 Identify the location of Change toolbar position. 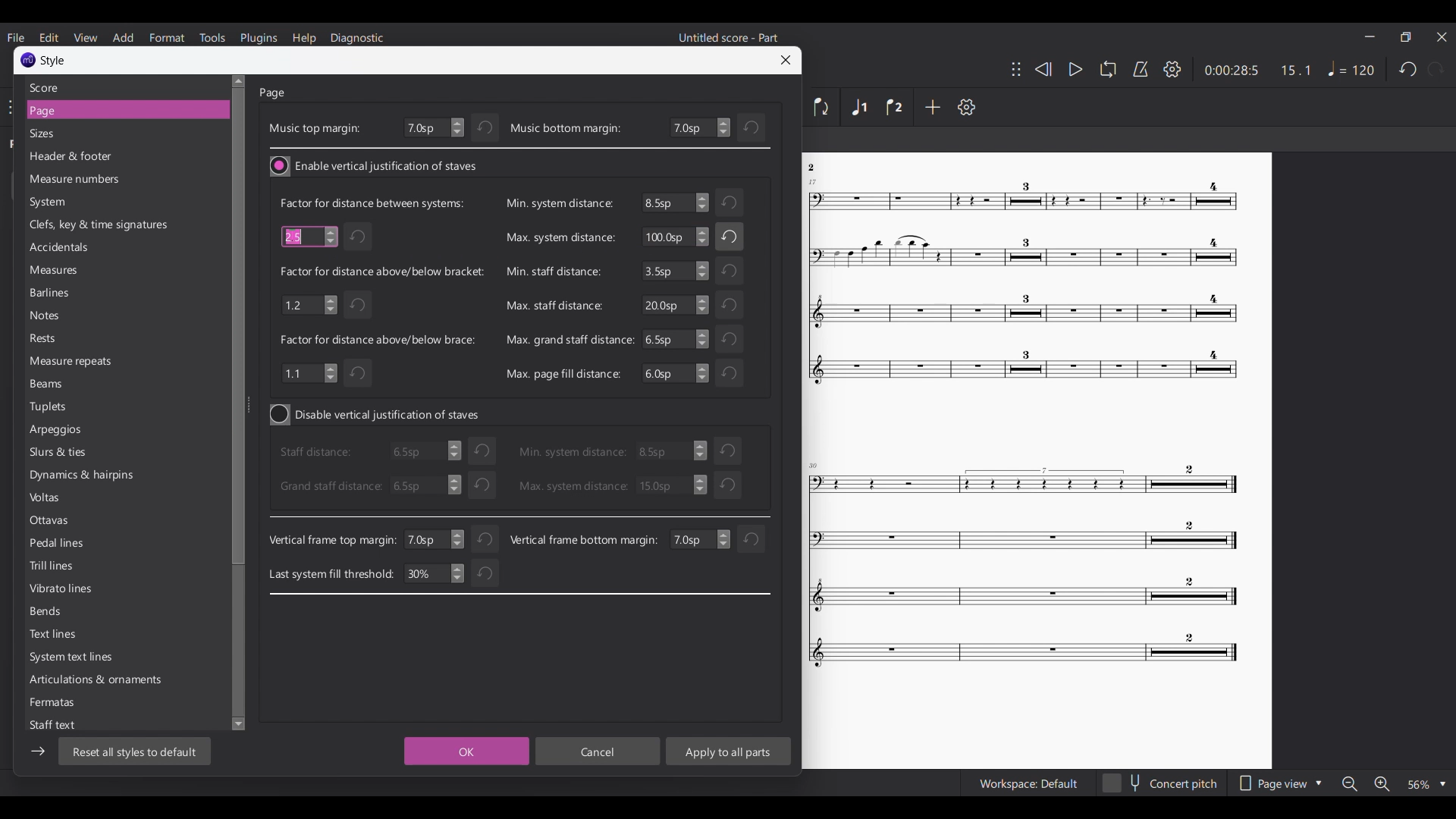
(1016, 69).